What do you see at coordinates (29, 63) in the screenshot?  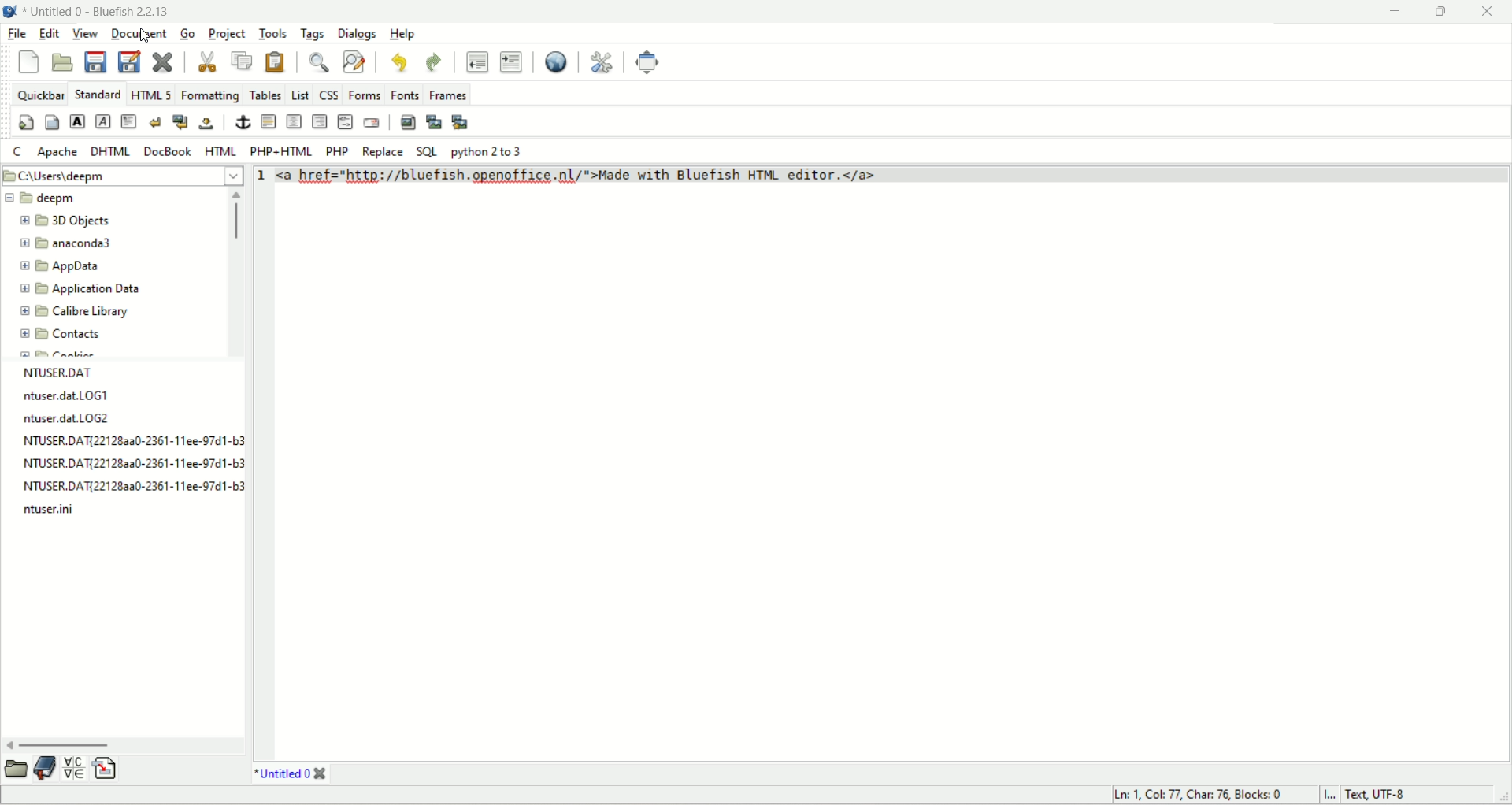 I see `new` at bounding box center [29, 63].